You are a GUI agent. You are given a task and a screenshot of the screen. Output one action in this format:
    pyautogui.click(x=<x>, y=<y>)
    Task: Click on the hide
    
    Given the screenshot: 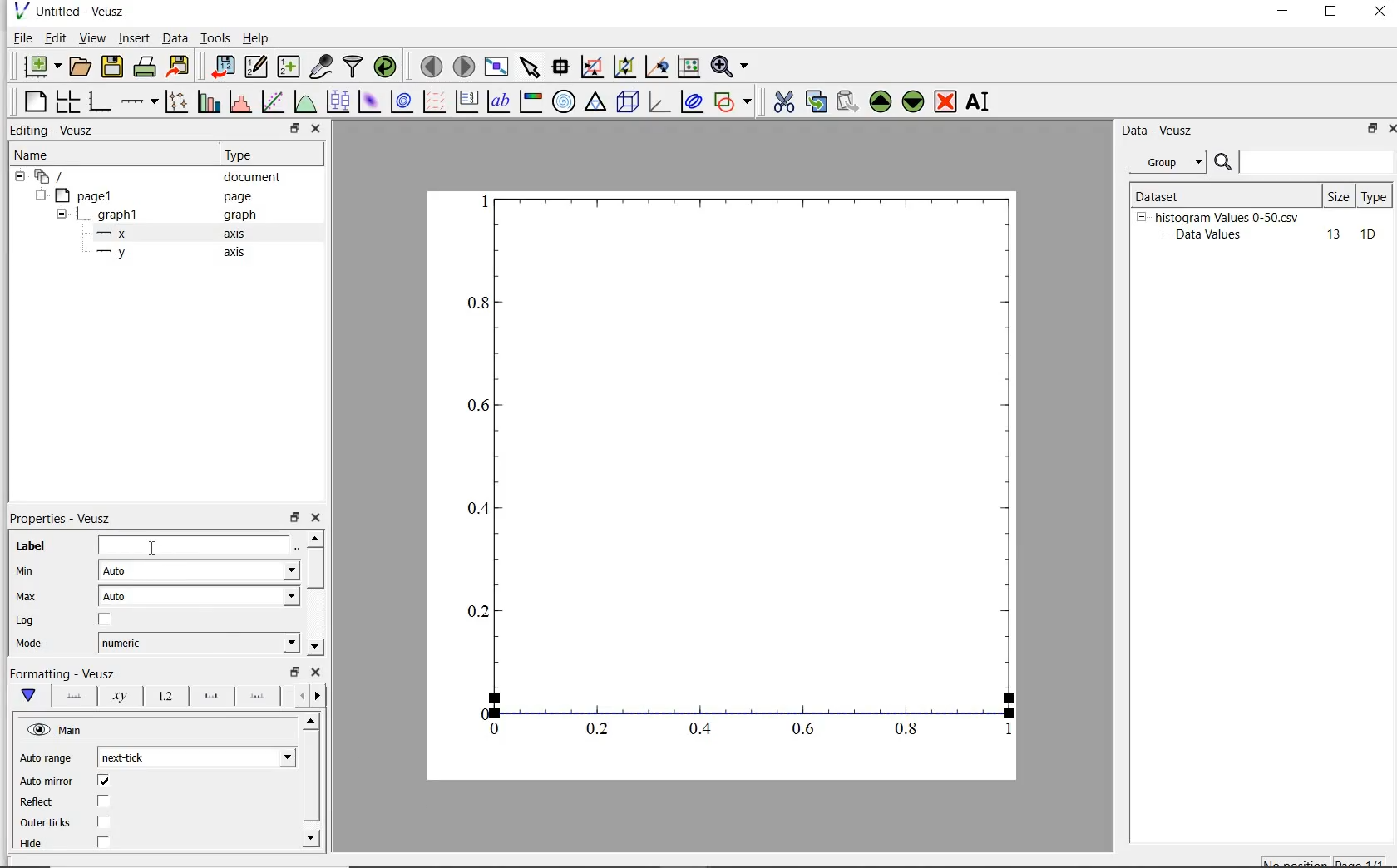 What is the action you would take?
    pyautogui.click(x=1141, y=216)
    